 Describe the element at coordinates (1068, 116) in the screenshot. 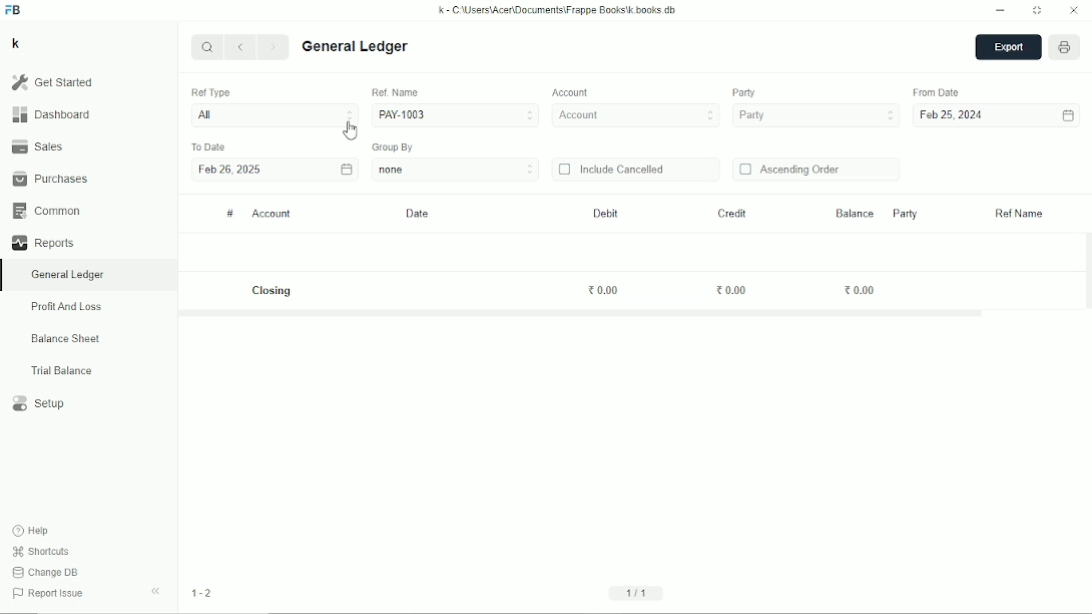

I see `Calendar` at that location.